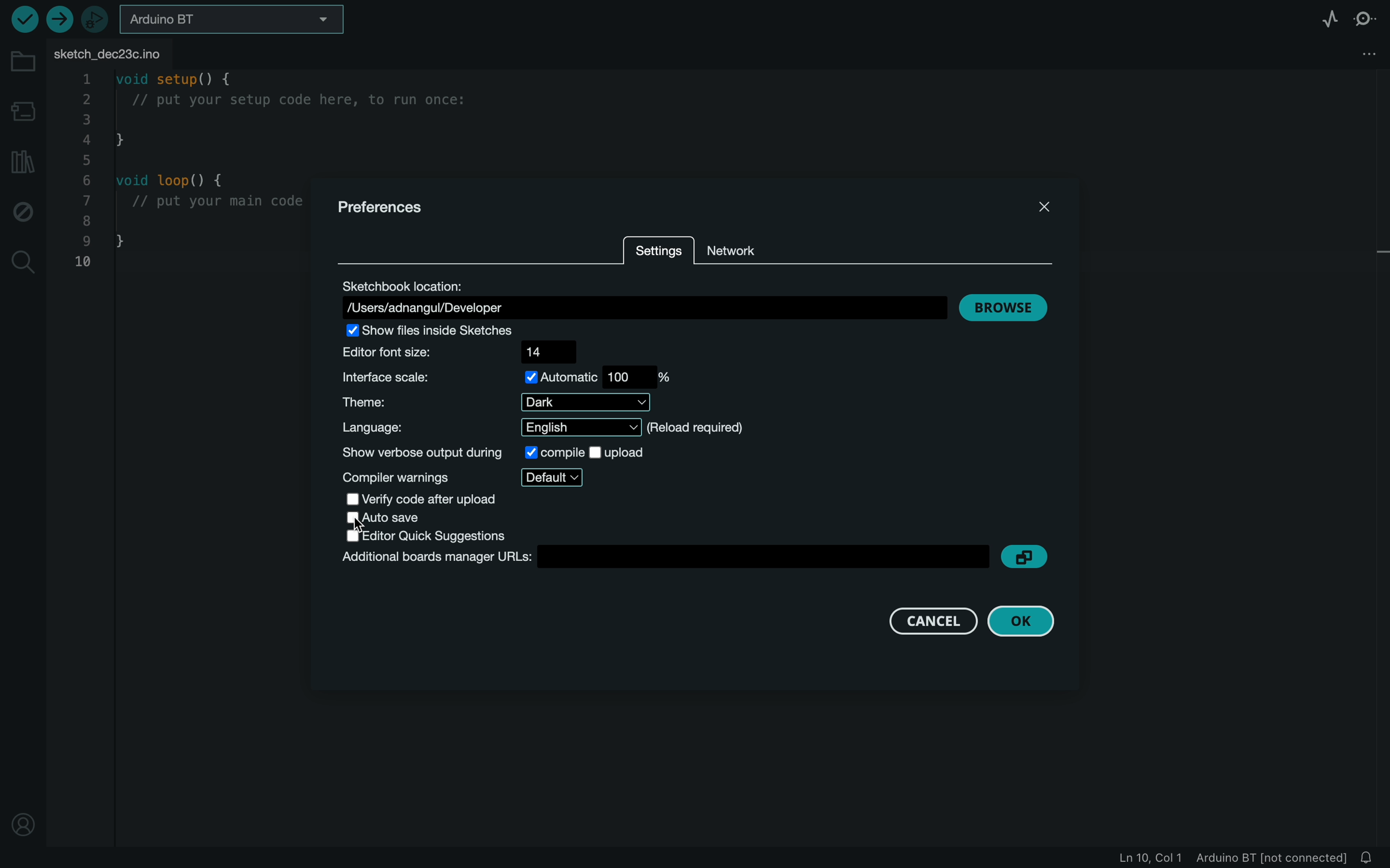 This screenshot has height=868, width=1390. Describe the element at coordinates (447, 329) in the screenshot. I see `show files` at that location.